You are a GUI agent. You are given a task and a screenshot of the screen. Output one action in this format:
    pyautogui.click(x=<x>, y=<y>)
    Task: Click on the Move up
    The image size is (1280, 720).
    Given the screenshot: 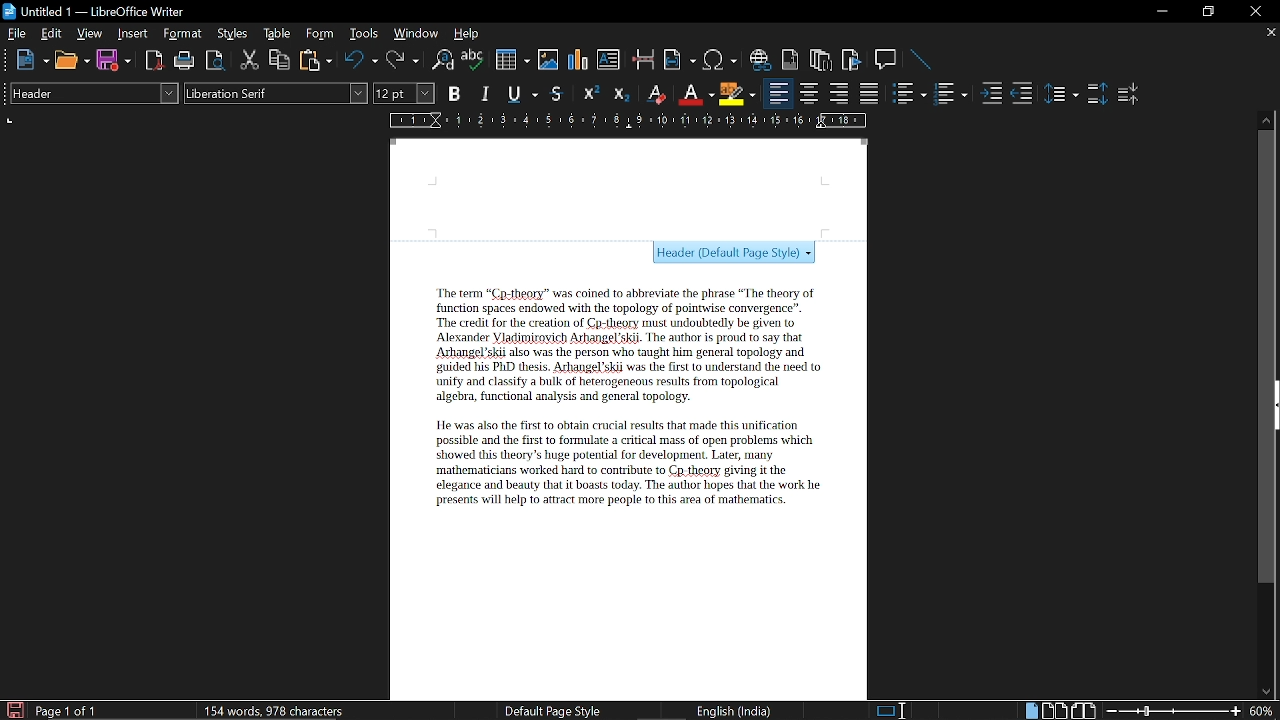 What is the action you would take?
    pyautogui.click(x=1267, y=118)
    